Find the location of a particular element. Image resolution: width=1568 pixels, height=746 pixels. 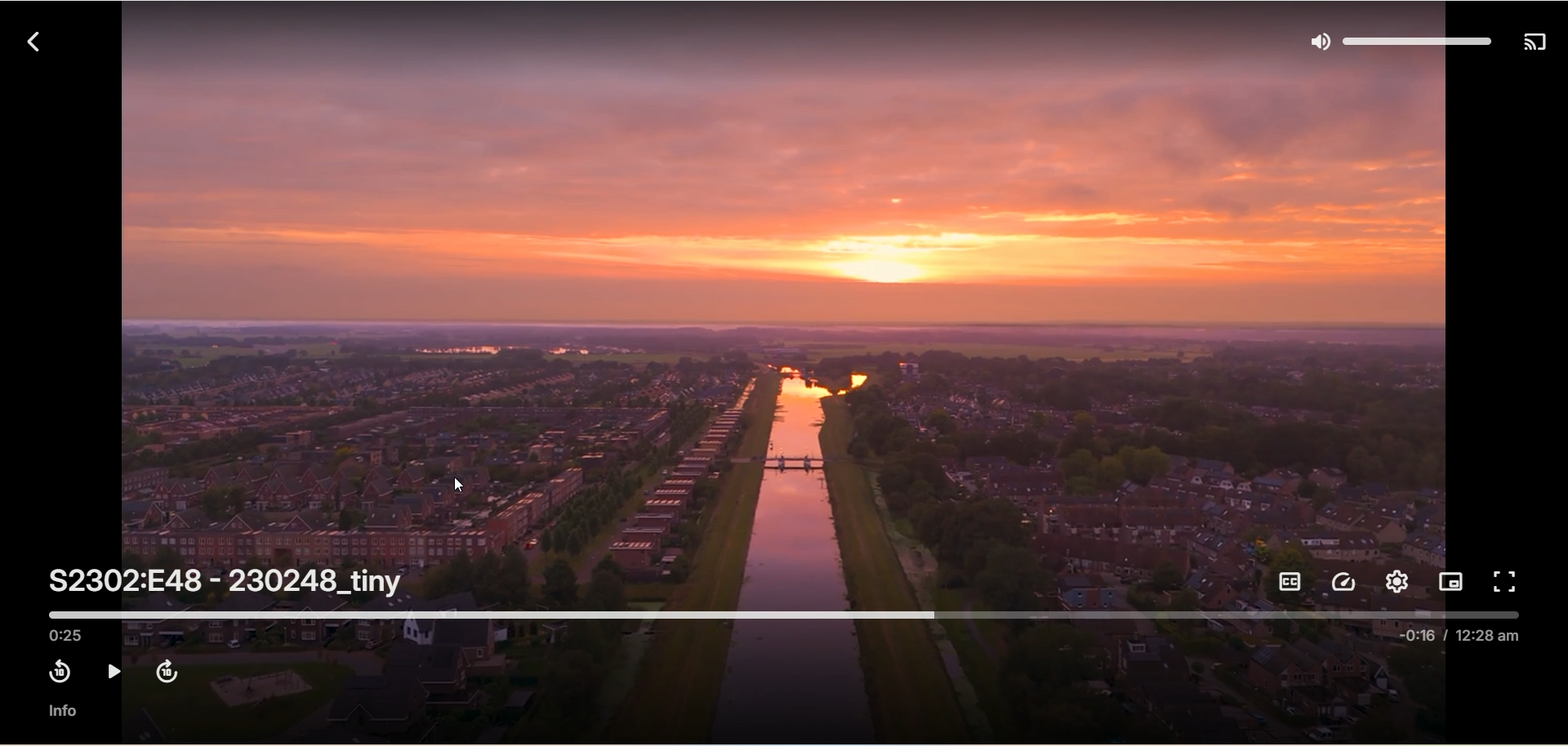

picture in picture is located at coordinates (1452, 580).